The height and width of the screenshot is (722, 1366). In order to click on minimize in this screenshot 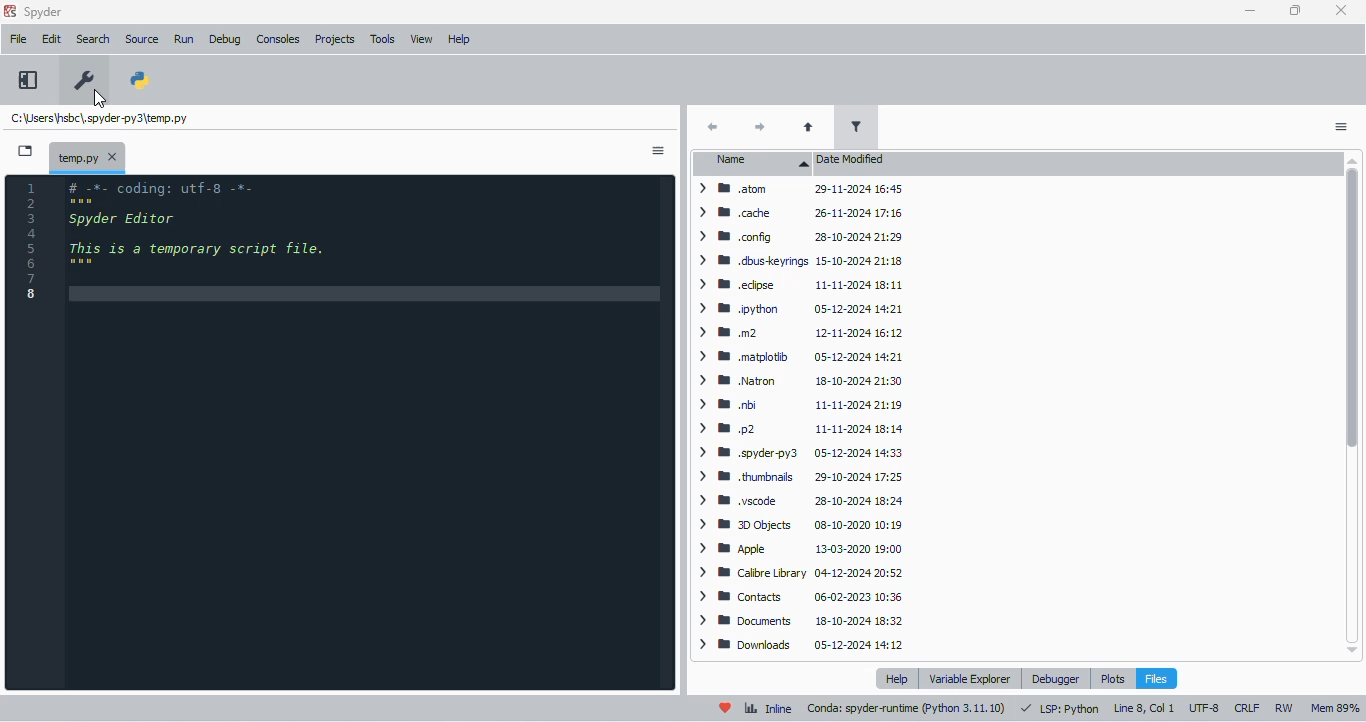, I will do `click(1251, 9)`.